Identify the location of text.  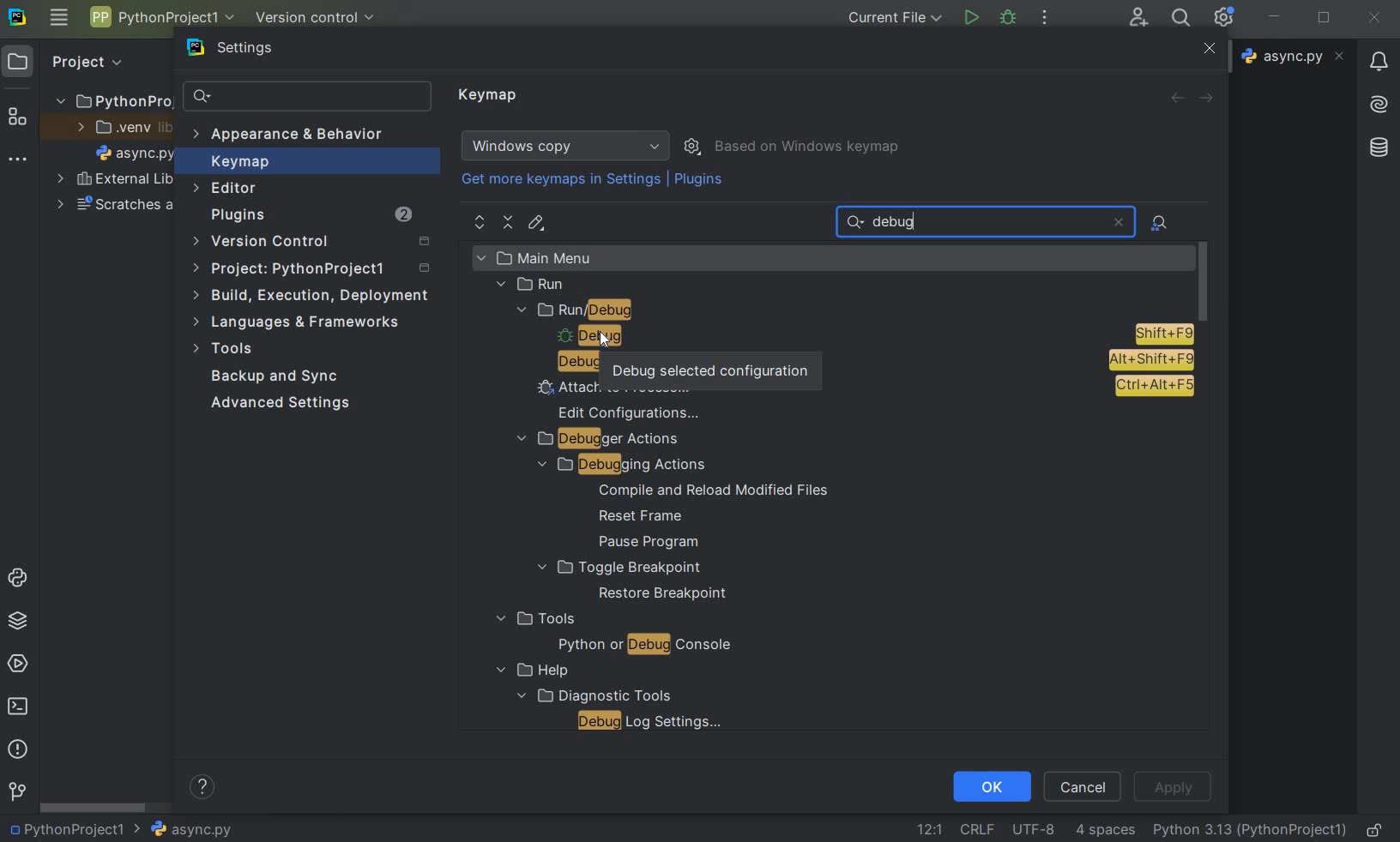
(901, 223).